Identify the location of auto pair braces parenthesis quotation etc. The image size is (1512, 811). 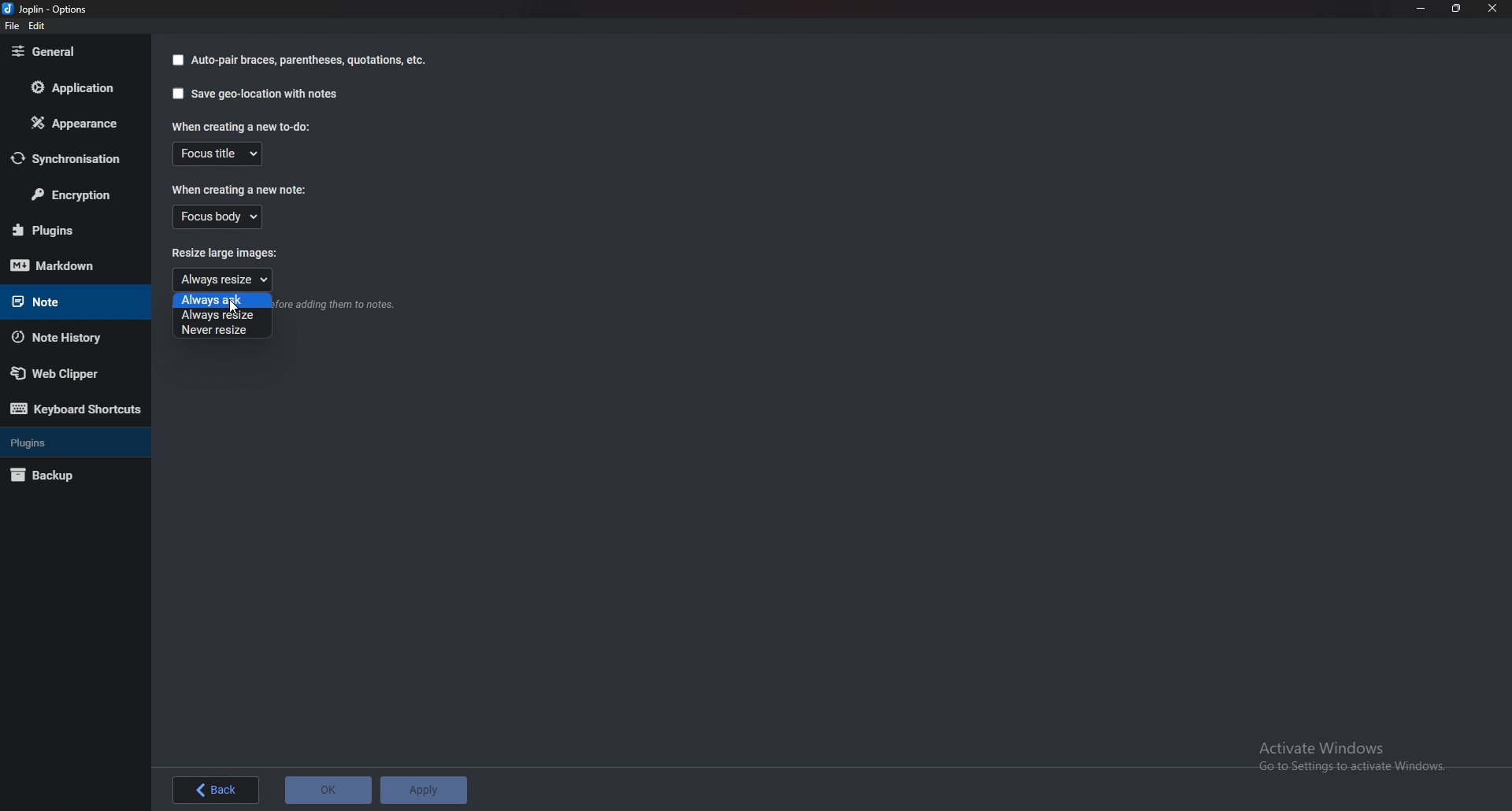
(308, 61).